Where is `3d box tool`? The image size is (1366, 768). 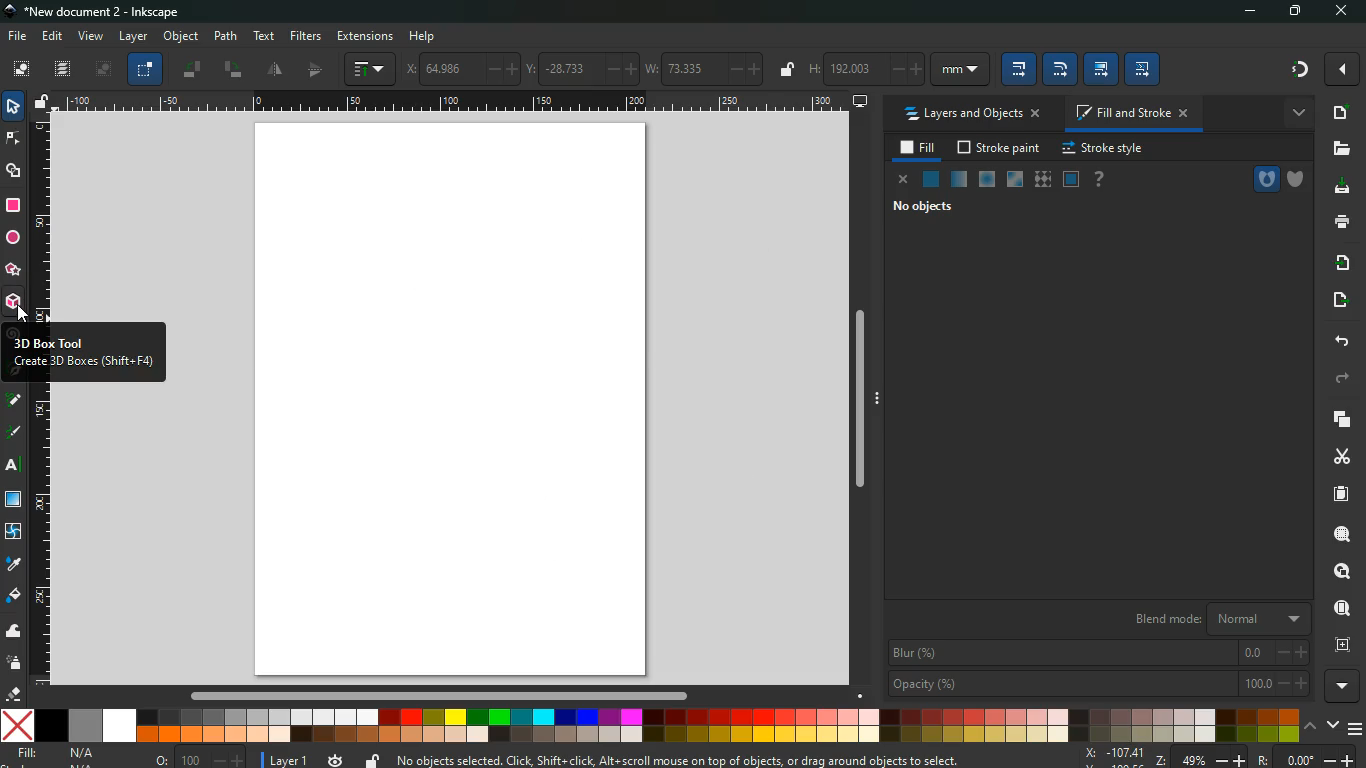 3d box tool is located at coordinates (87, 353).